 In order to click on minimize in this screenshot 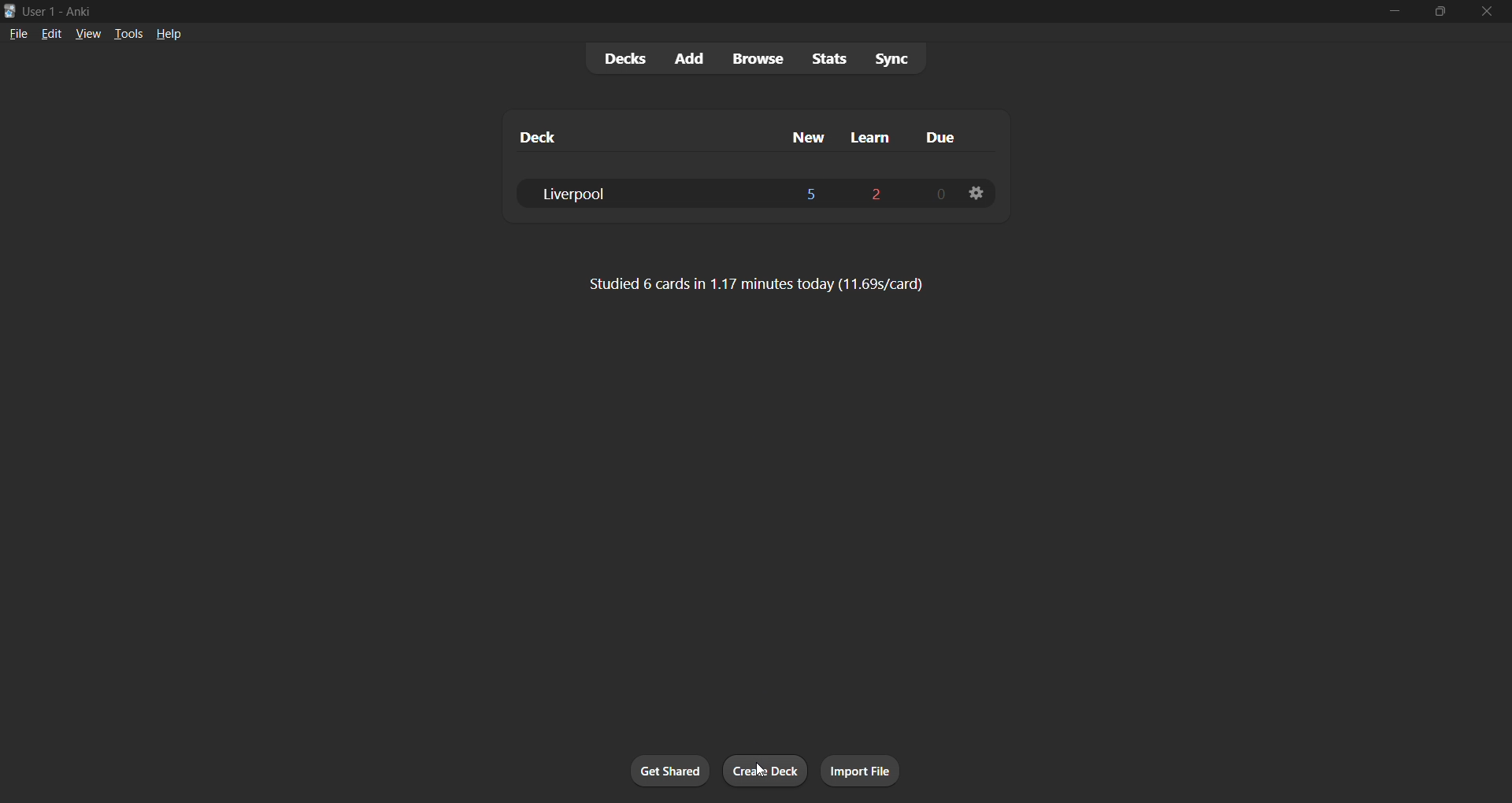, I will do `click(1385, 13)`.